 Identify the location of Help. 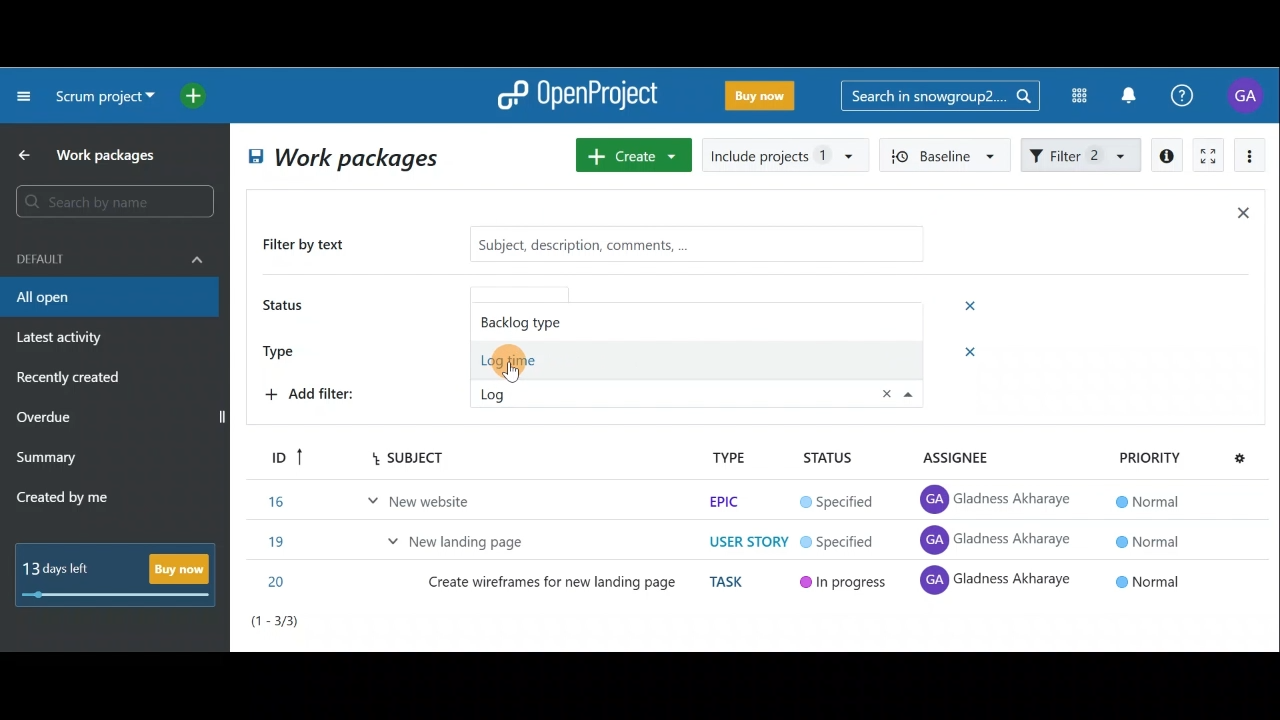
(1193, 96).